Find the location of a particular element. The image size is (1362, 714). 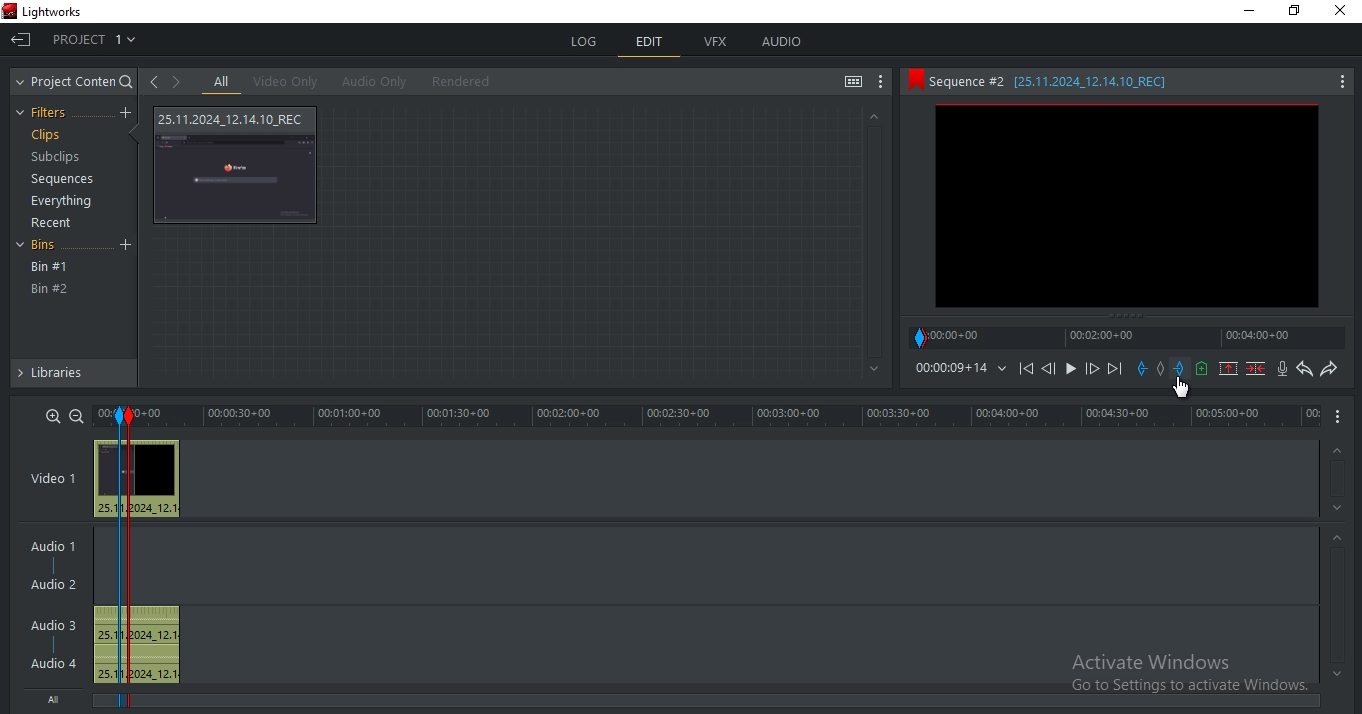

clip is located at coordinates (1126, 206).